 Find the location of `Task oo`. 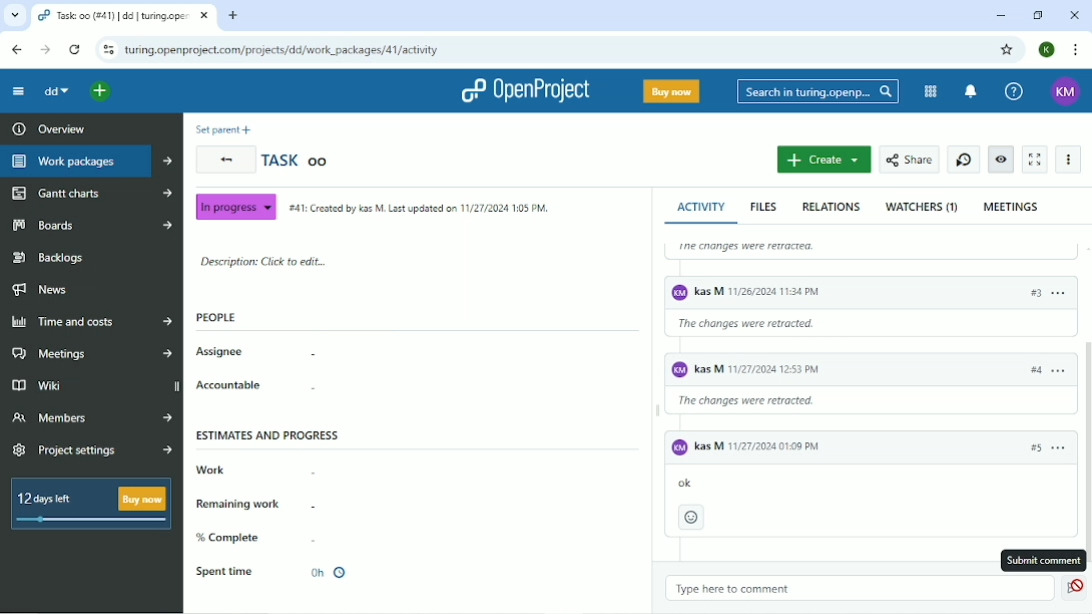

Task oo is located at coordinates (296, 159).